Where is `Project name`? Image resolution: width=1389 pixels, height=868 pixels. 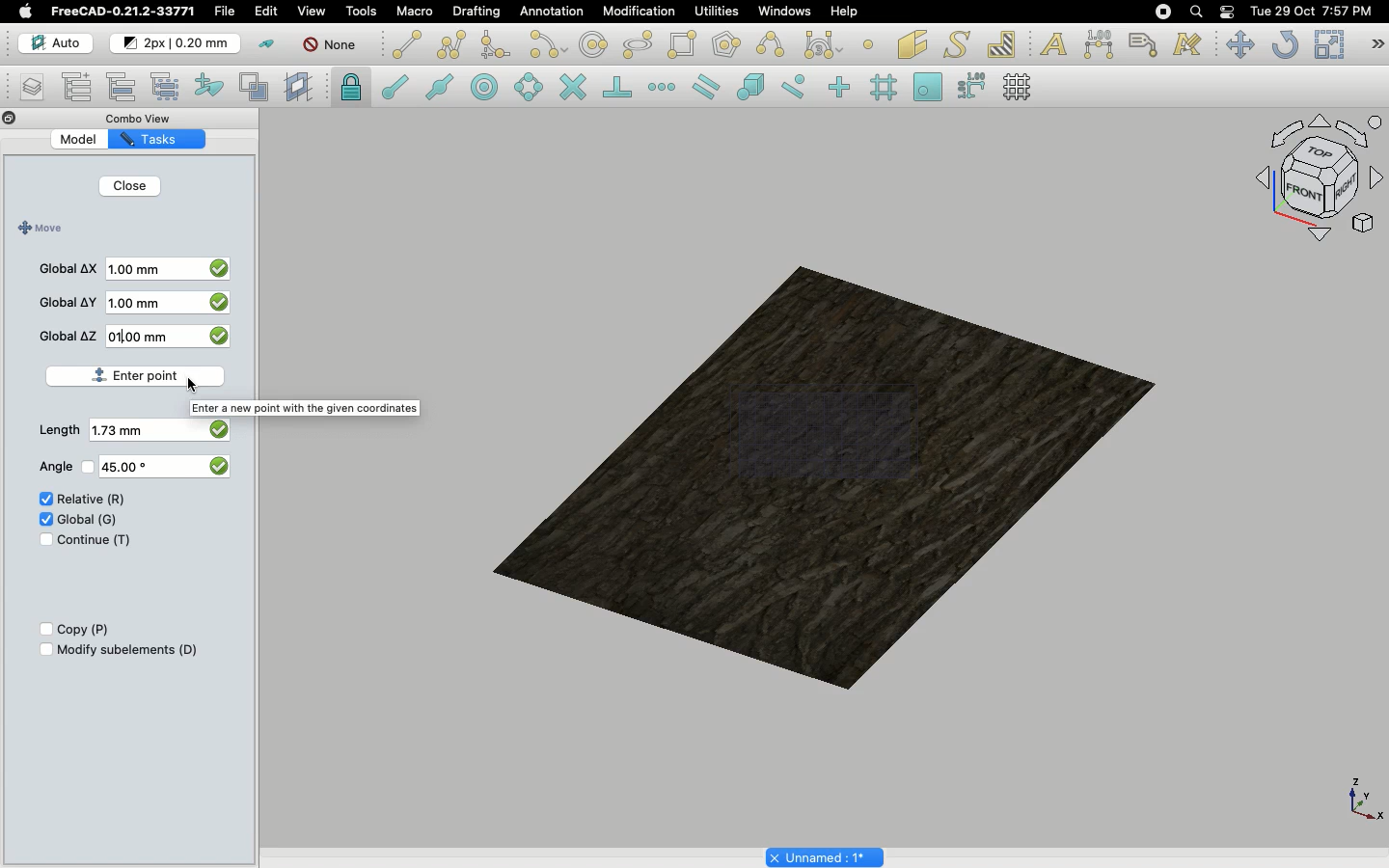 Project name is located at coordinates (827, 855).